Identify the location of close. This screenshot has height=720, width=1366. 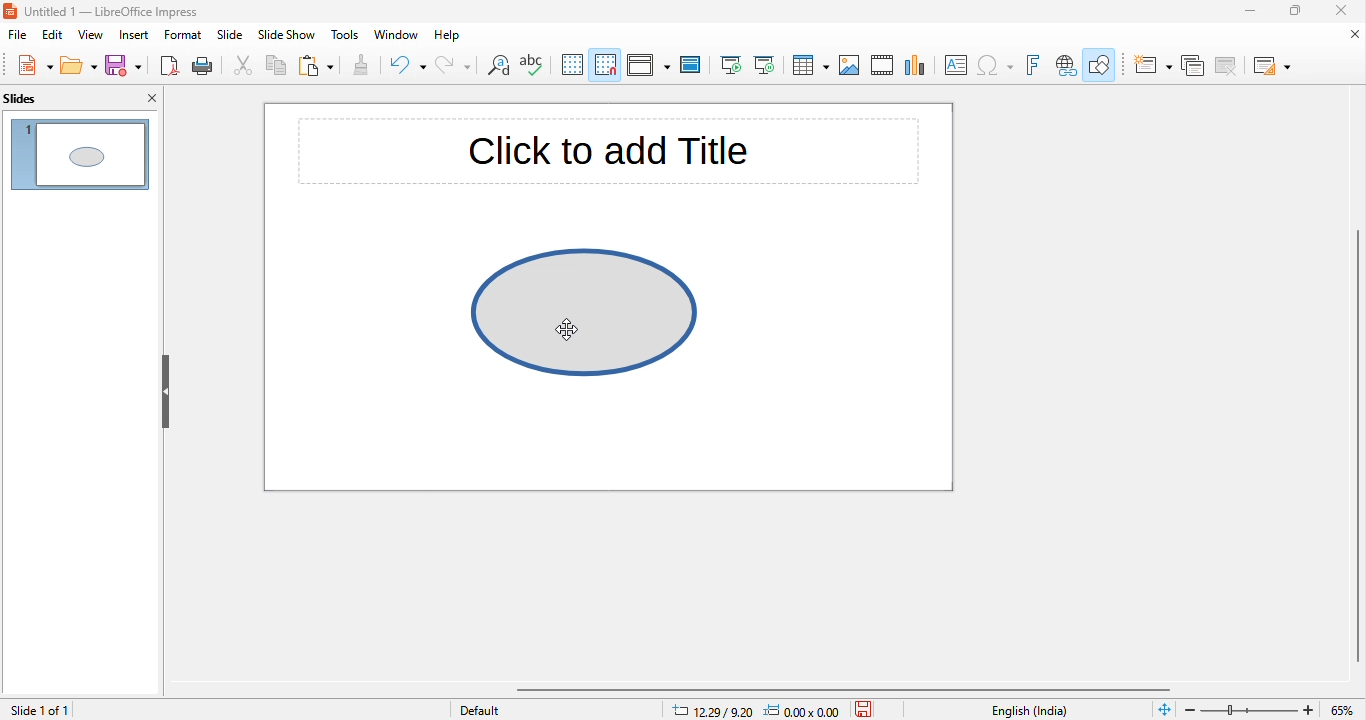
(1349, 35).